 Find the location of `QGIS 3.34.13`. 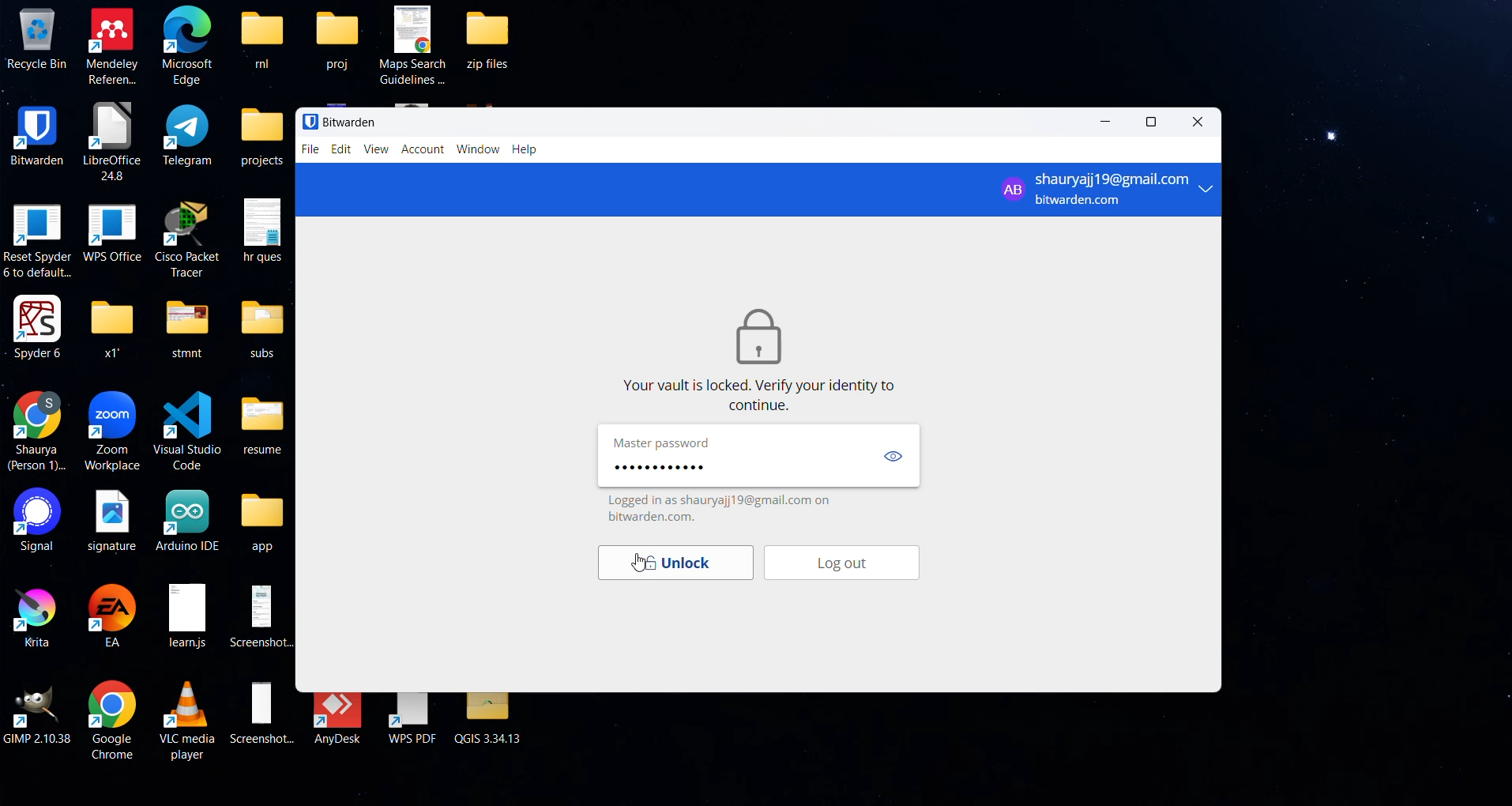

QGIS 3.34.13 is located at coordinates (491, 720).